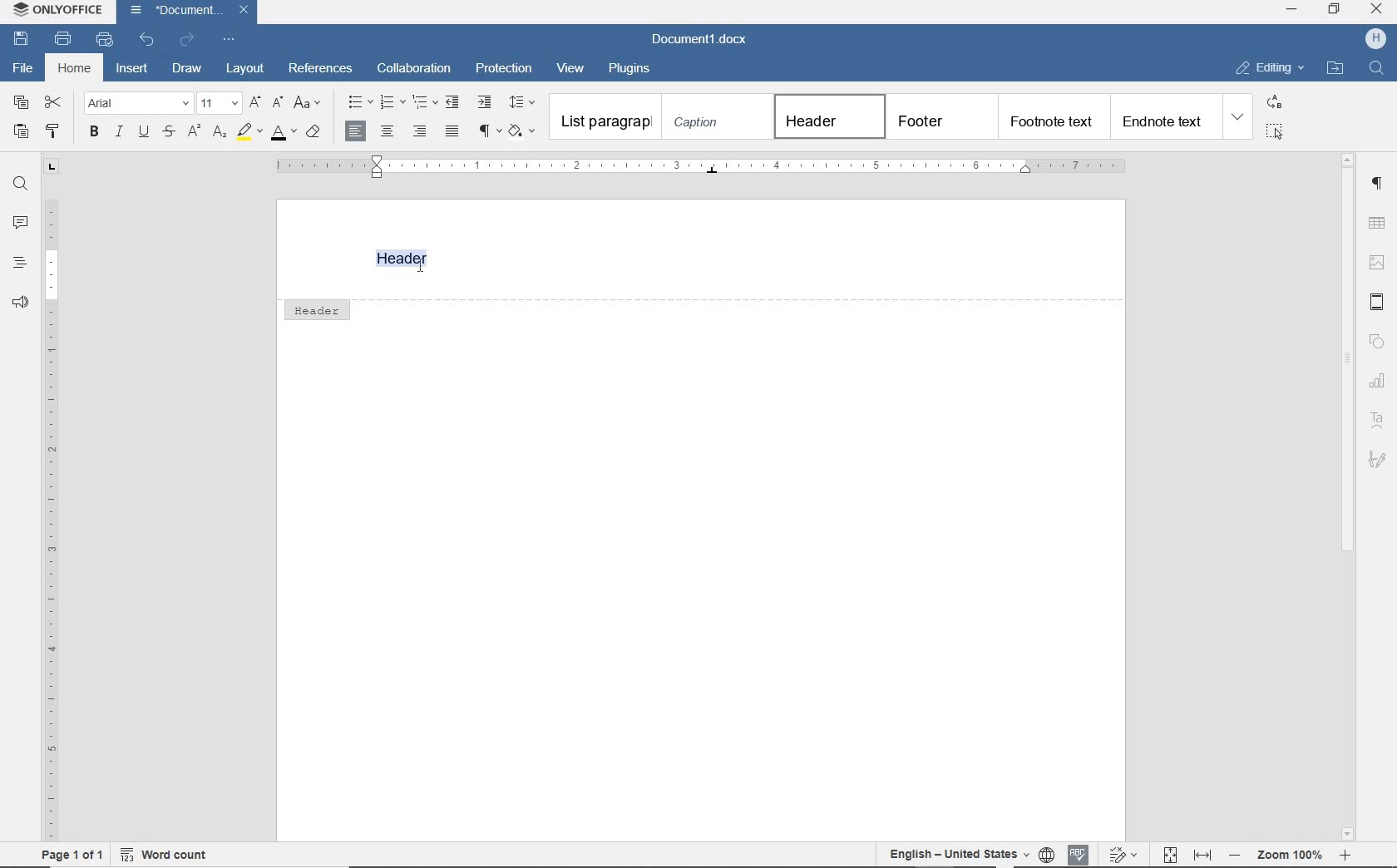 This screenshot has height=868, width=1397. I want to click on bullets, so click(356, 102).